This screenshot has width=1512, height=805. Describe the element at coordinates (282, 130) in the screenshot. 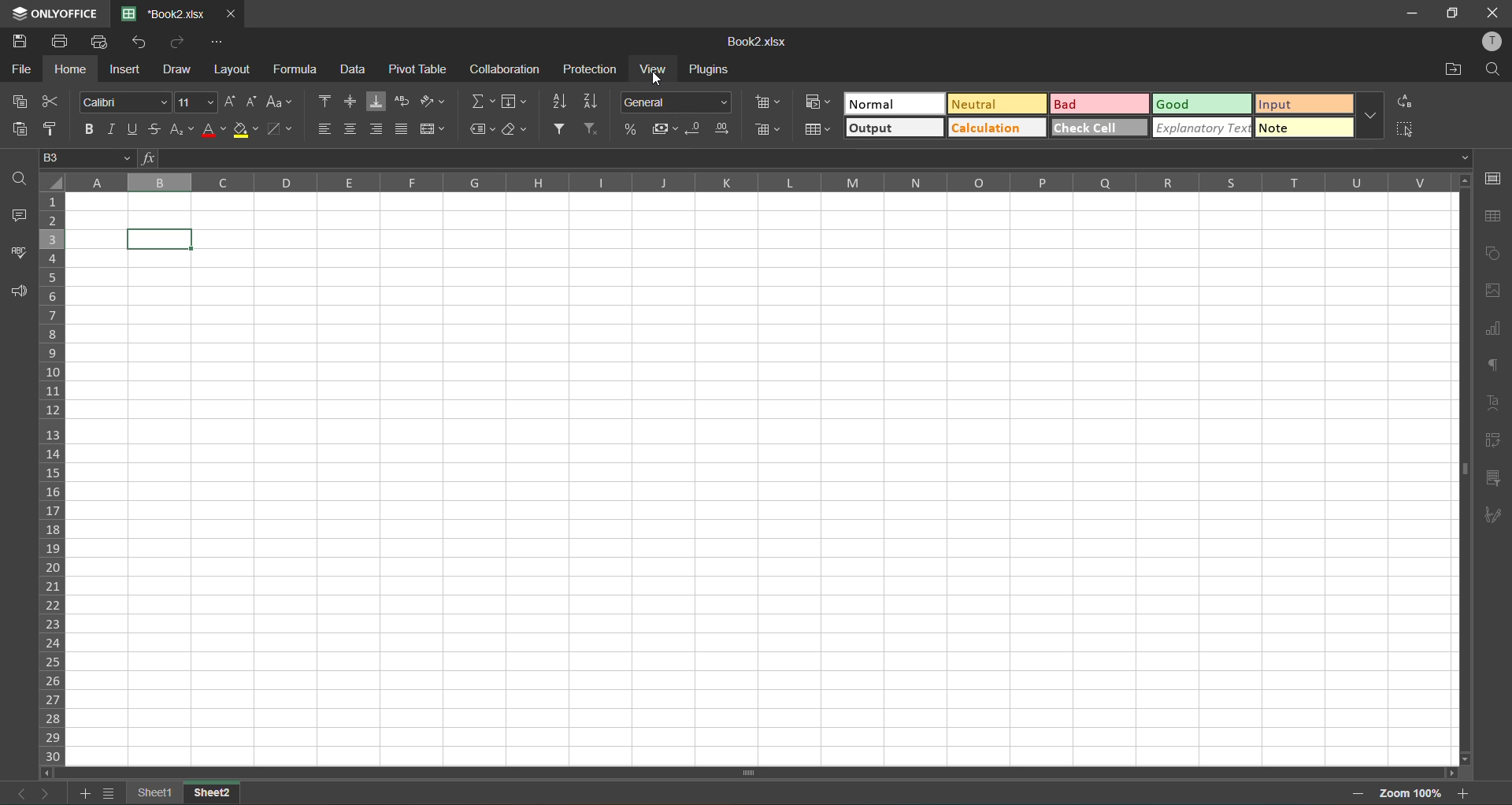

I see `borders` at that location.